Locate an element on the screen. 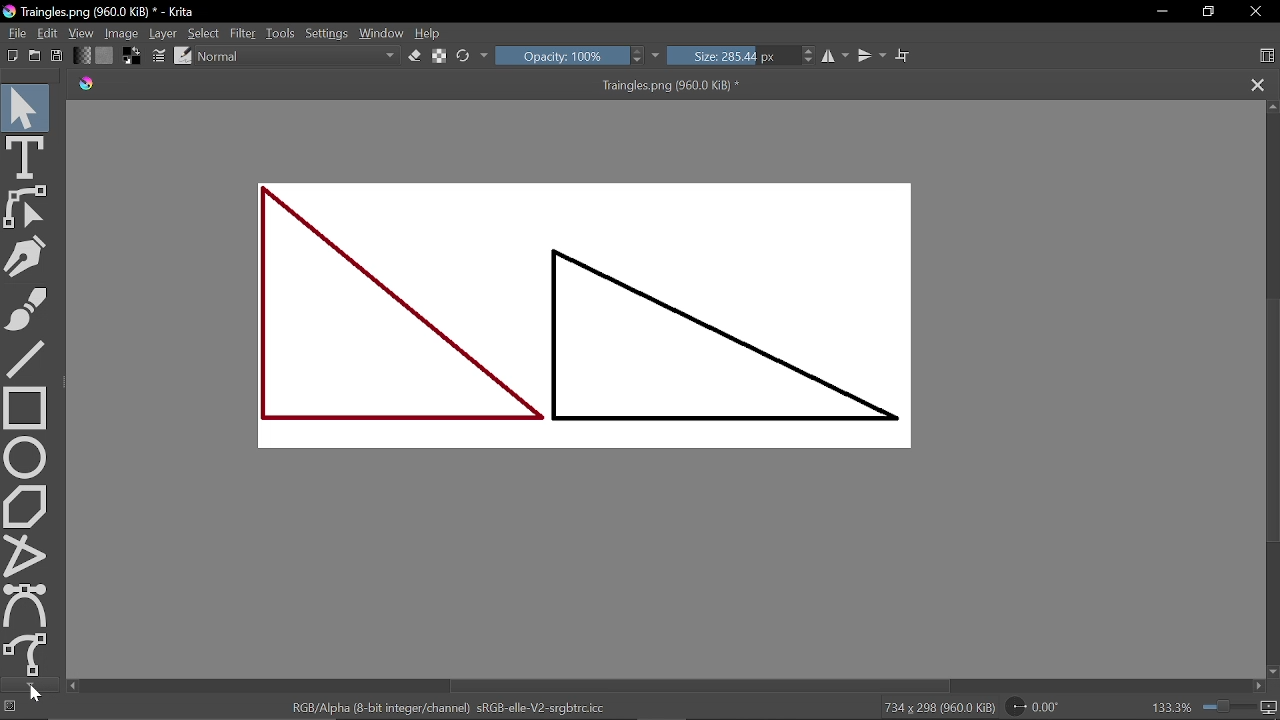 The image size is (1280, 720). Vertical scrollbar is located at coordinates (1272, 422).